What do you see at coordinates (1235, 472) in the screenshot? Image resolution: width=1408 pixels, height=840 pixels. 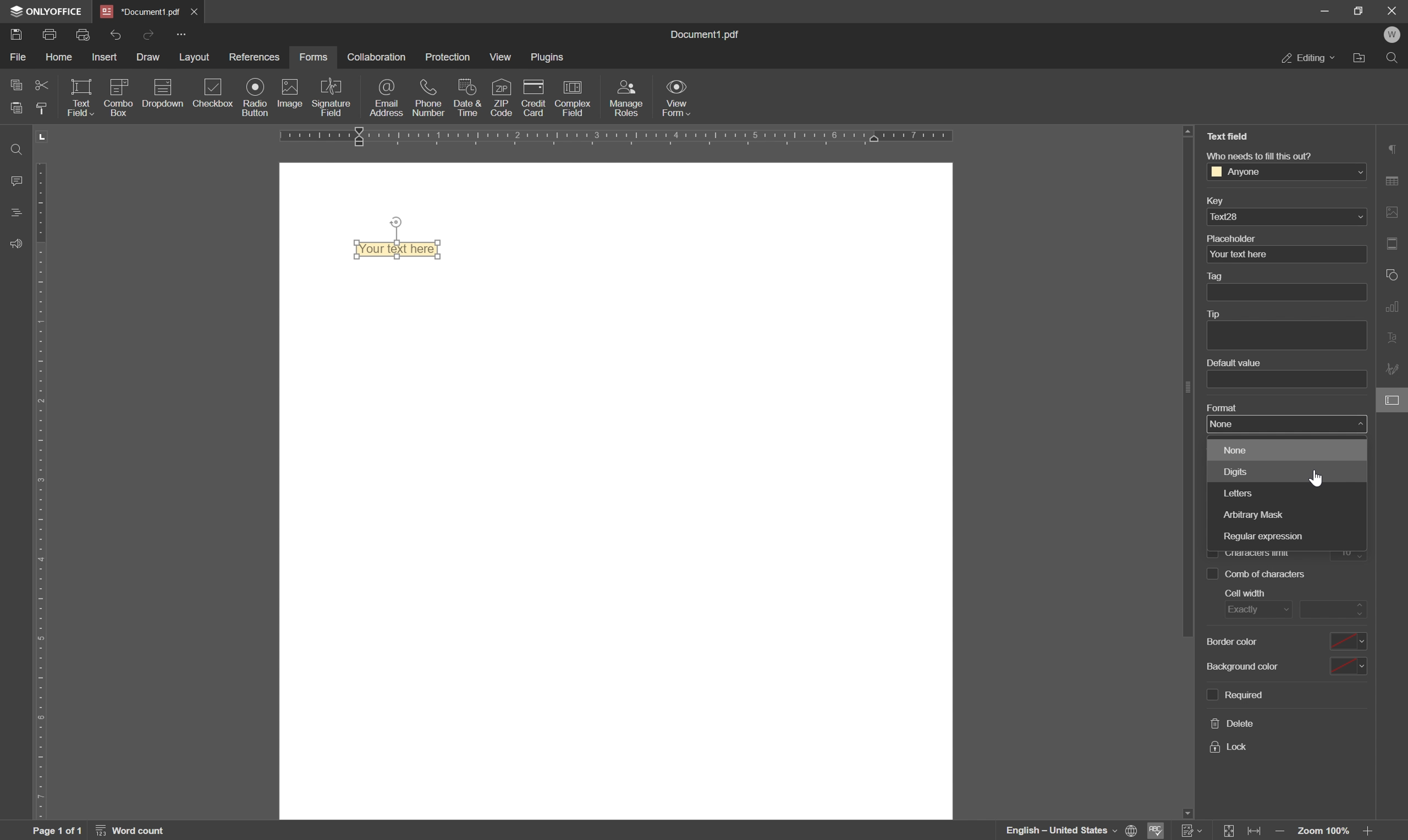 I see `digits` at bounding box center [1235, 472].